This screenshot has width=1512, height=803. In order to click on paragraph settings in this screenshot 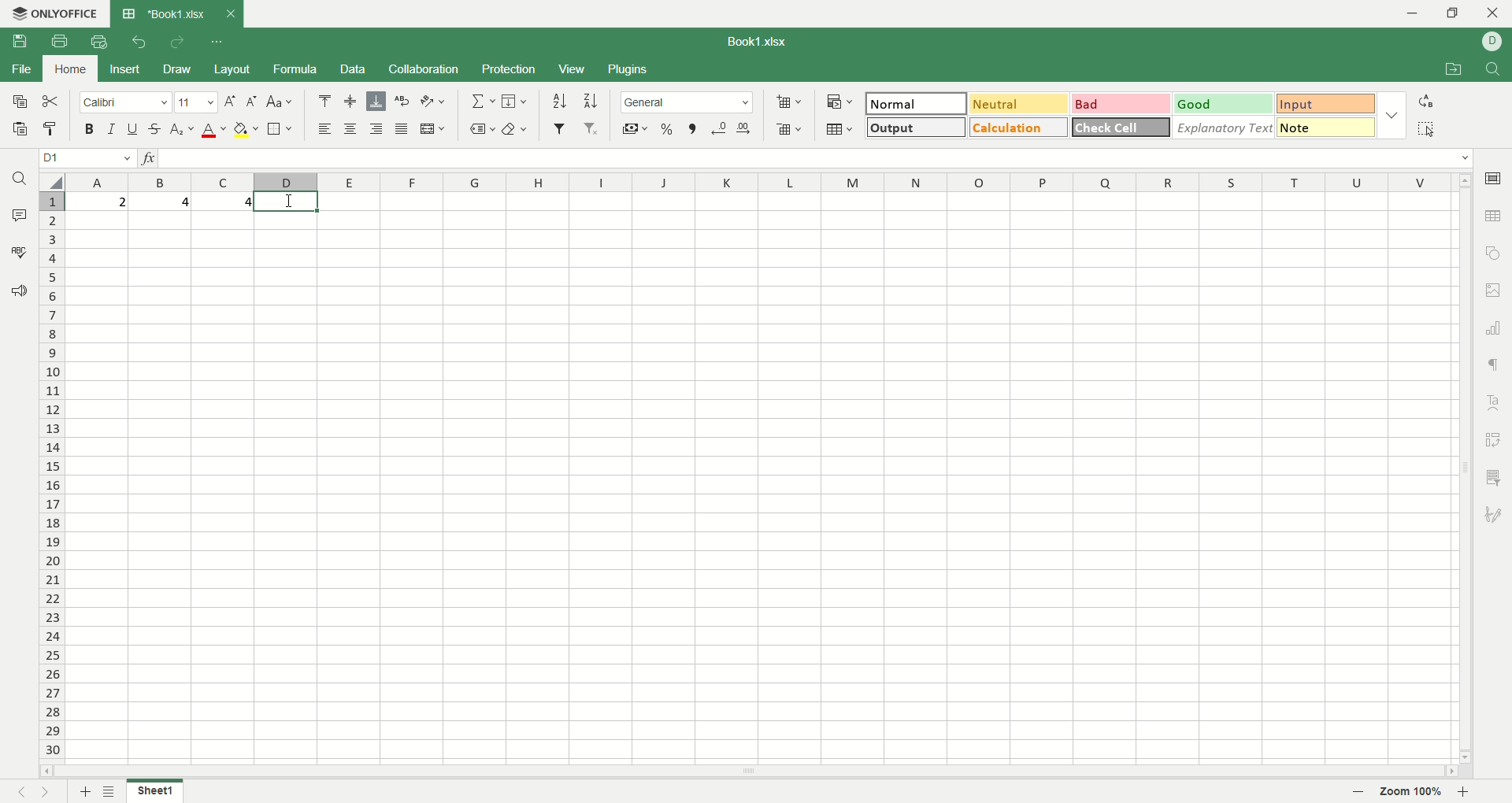, I will do `click(1494, 367)`.